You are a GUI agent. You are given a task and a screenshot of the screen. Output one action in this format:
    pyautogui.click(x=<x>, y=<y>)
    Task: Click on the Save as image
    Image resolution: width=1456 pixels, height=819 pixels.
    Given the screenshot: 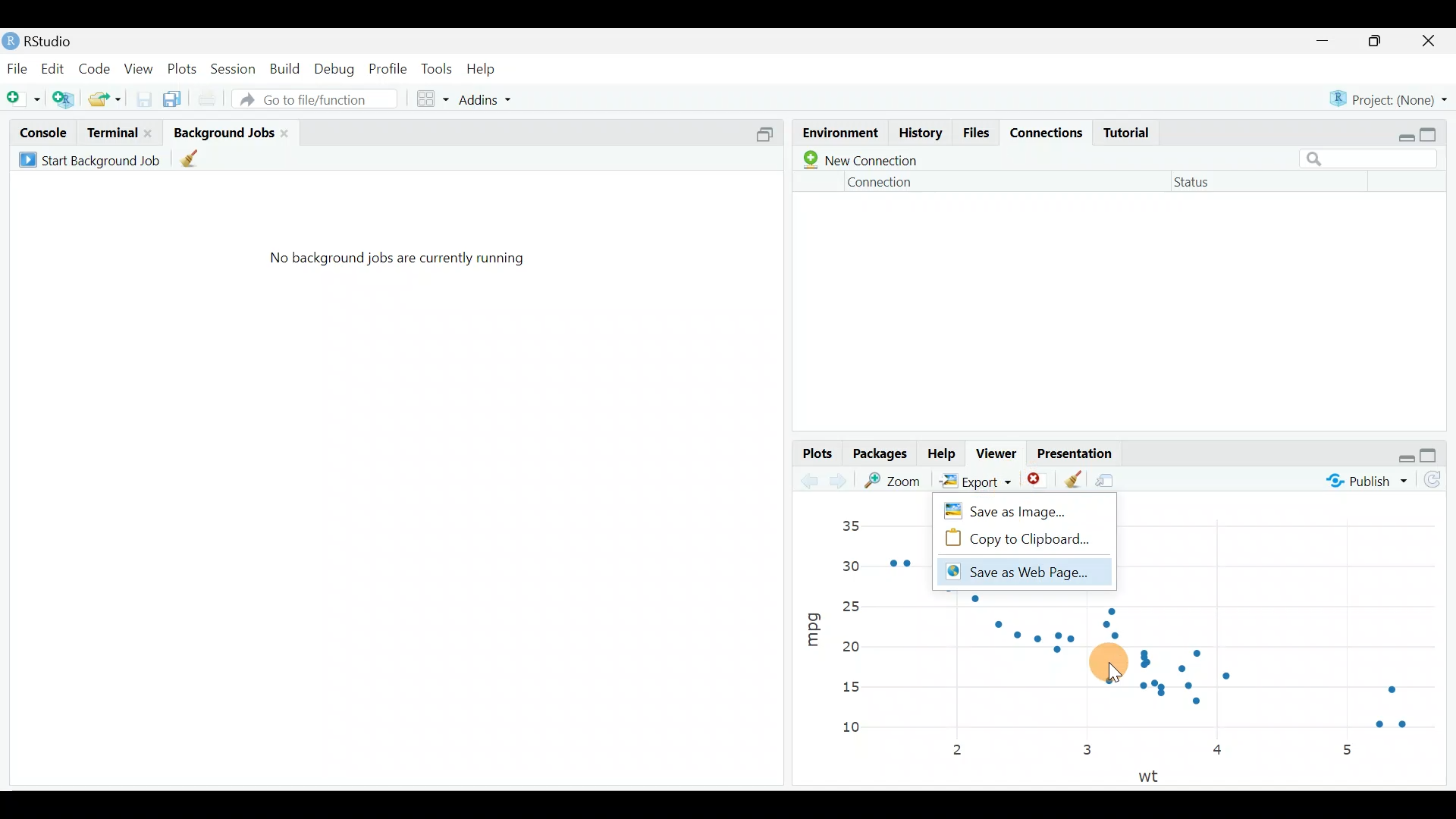 What is the action you would take?
    pyautogui.click(x=1019, y=509)
    